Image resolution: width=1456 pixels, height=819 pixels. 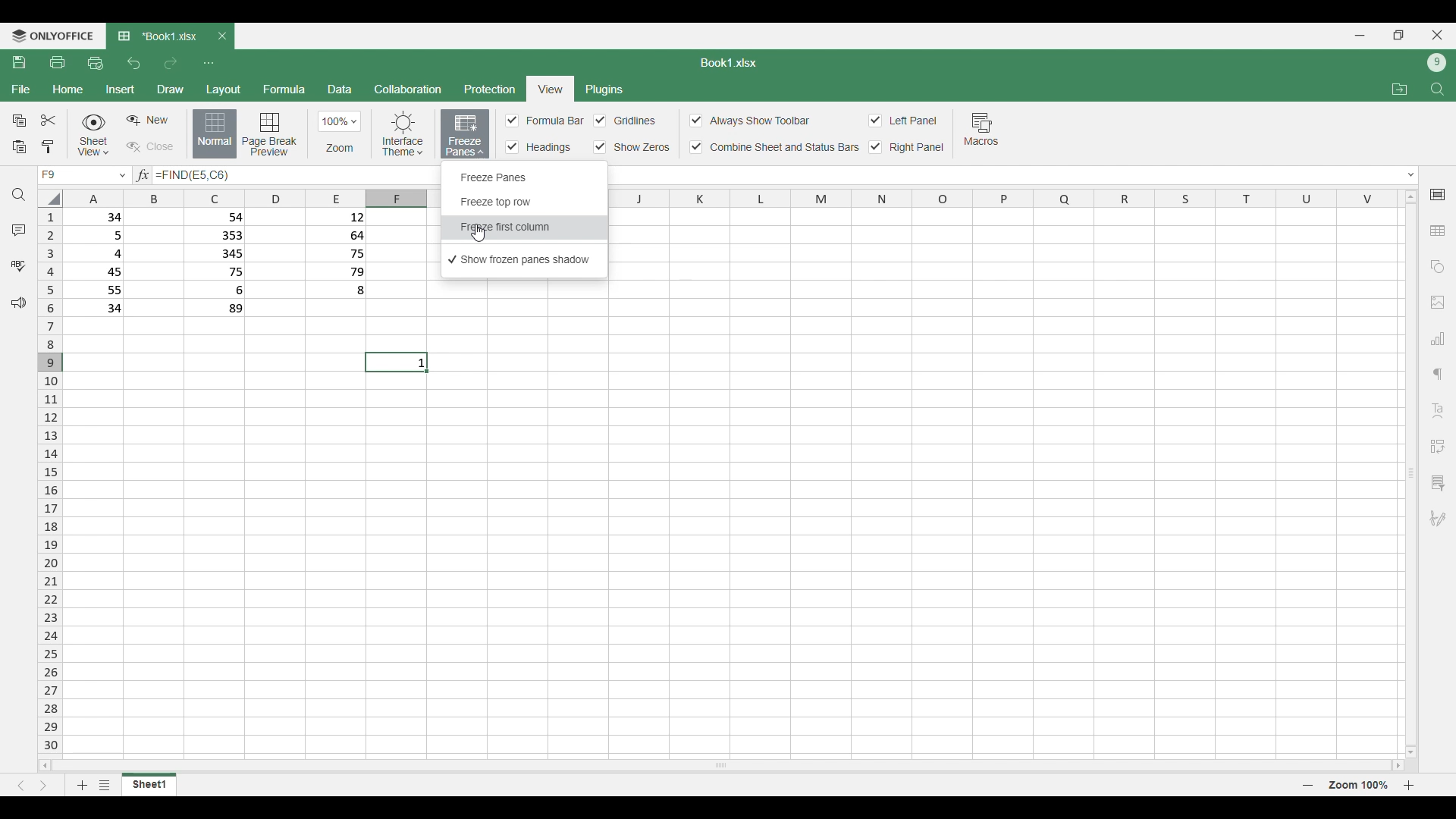 I want to click on Add digital signature or signature line, so click(x=1437, y=519).